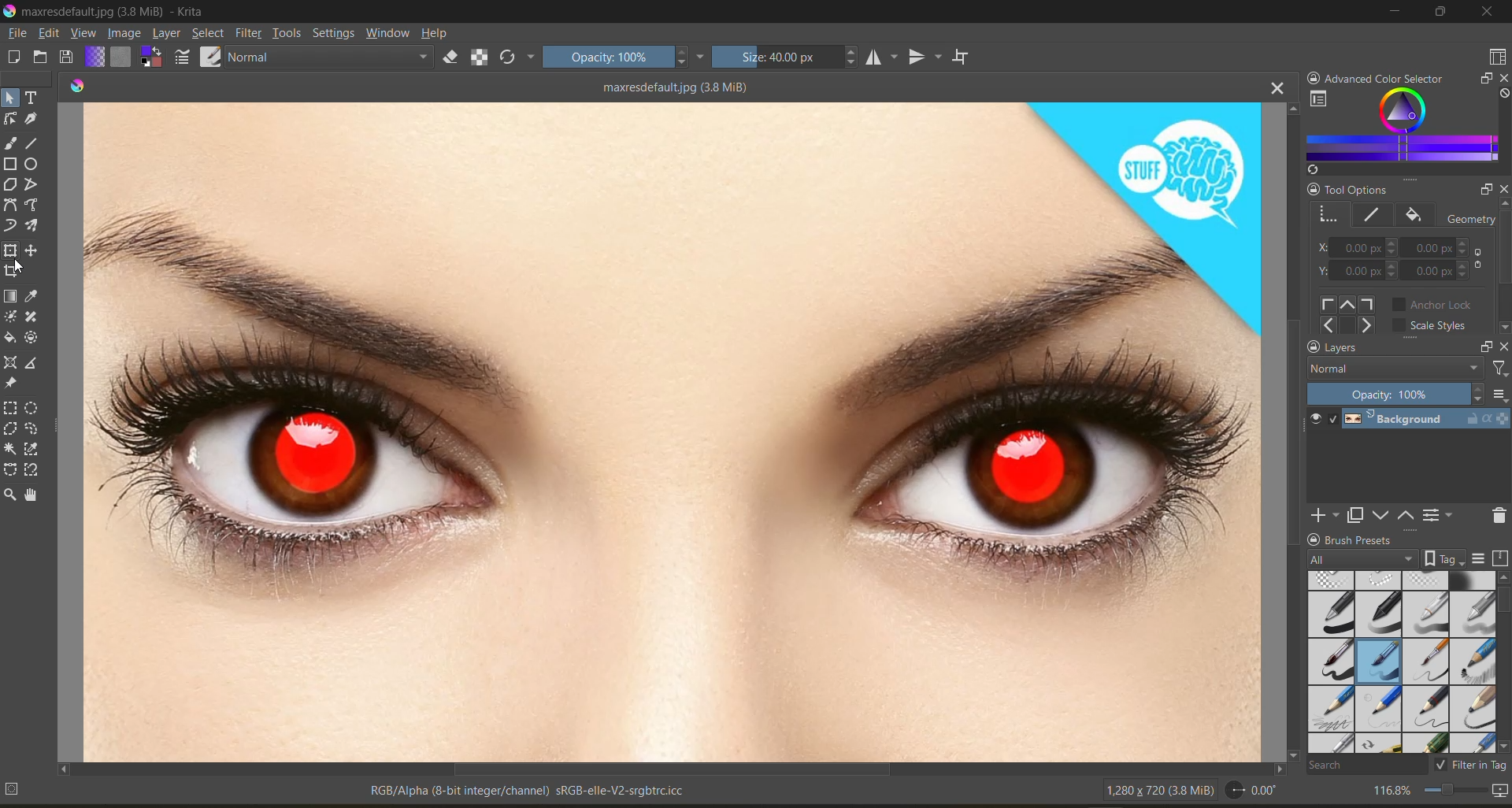 The image size is (1512, 808). What do you see at coordinates (33, 470) in the screenshot?
I see `tool` at bounding box center [33, 470].